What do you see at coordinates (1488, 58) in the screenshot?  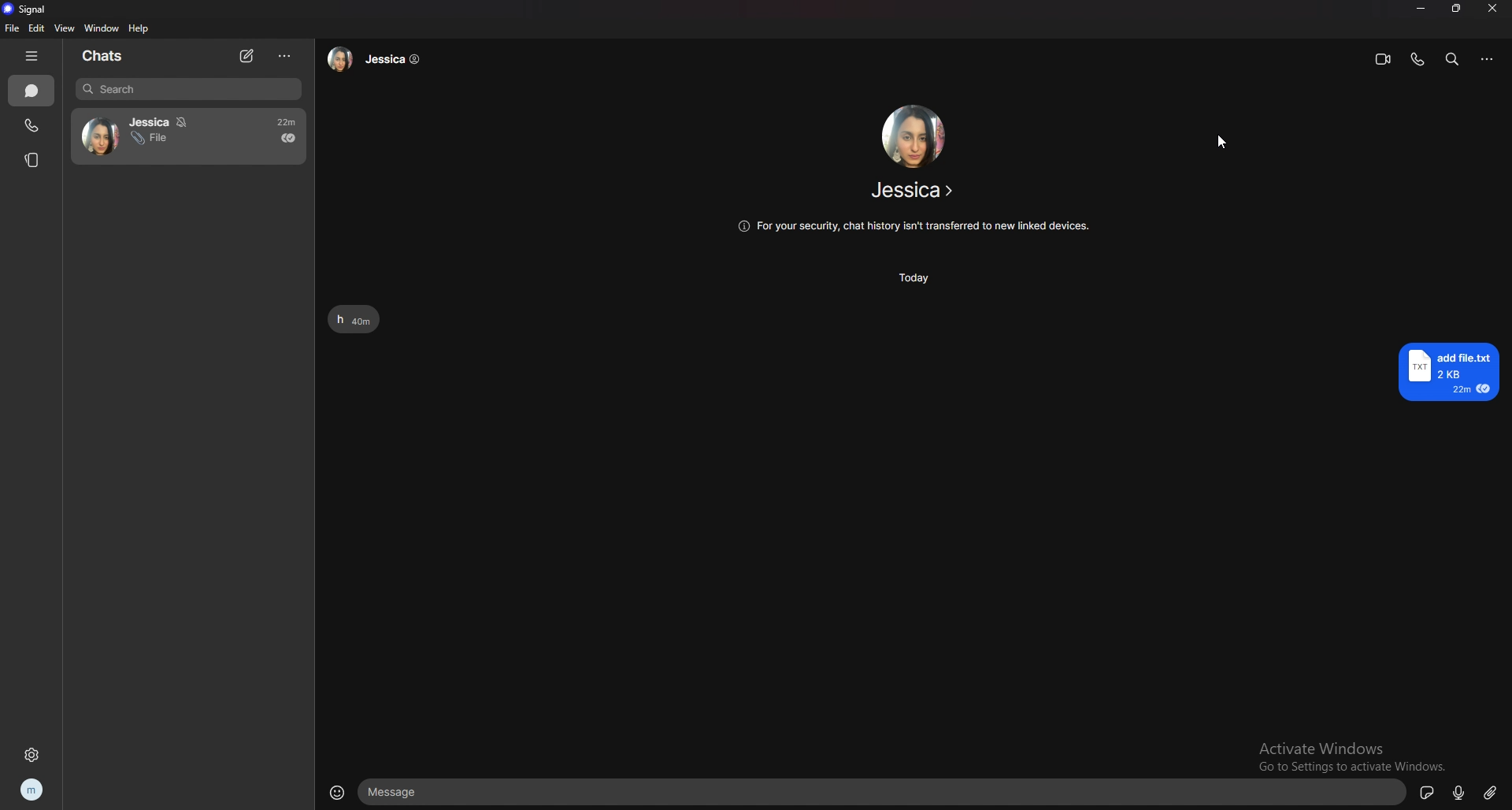 I see `options` at bounding box center [1488, 58].